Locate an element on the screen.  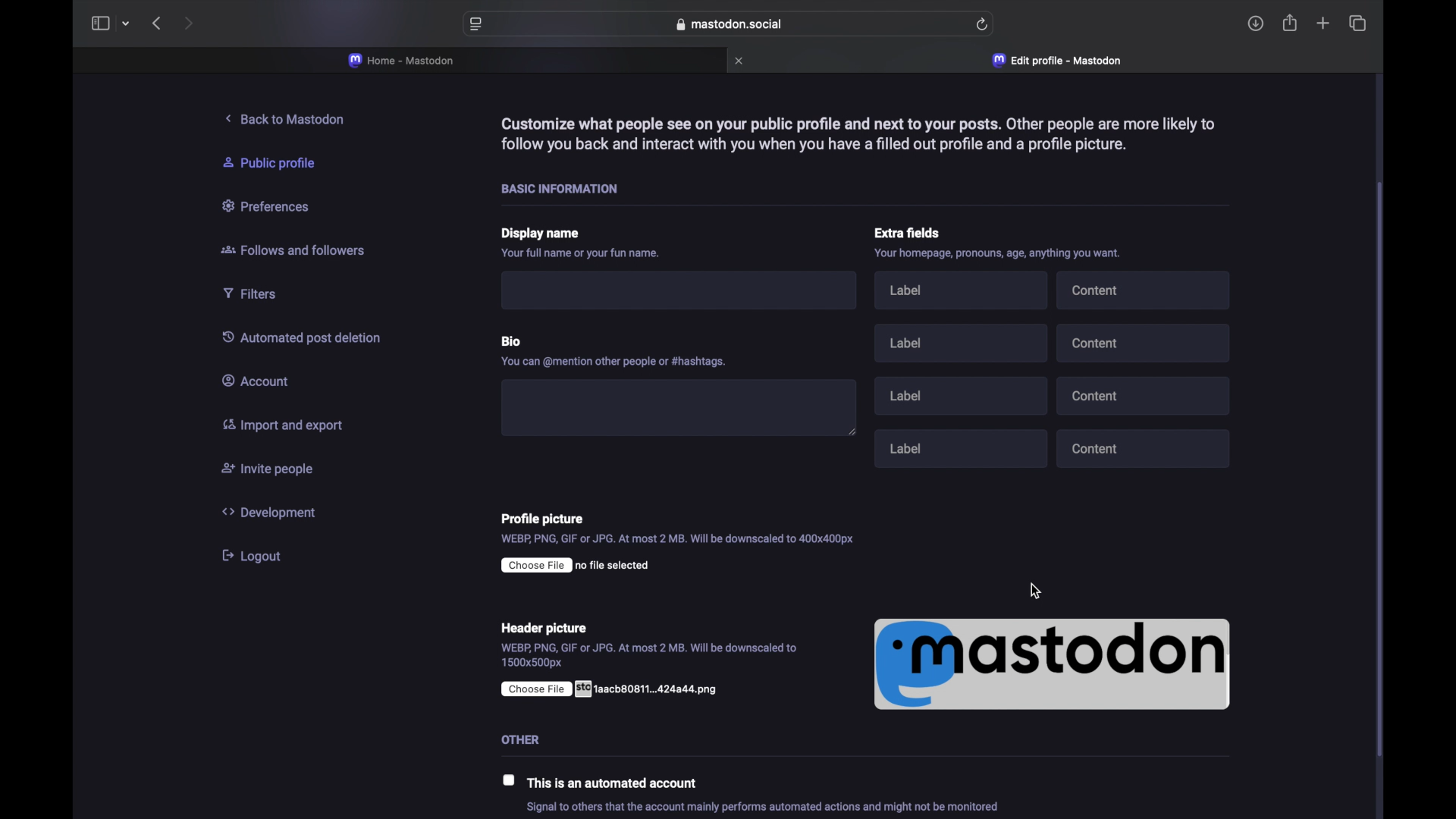
back to mastodon is located at coordinates (289, 119).